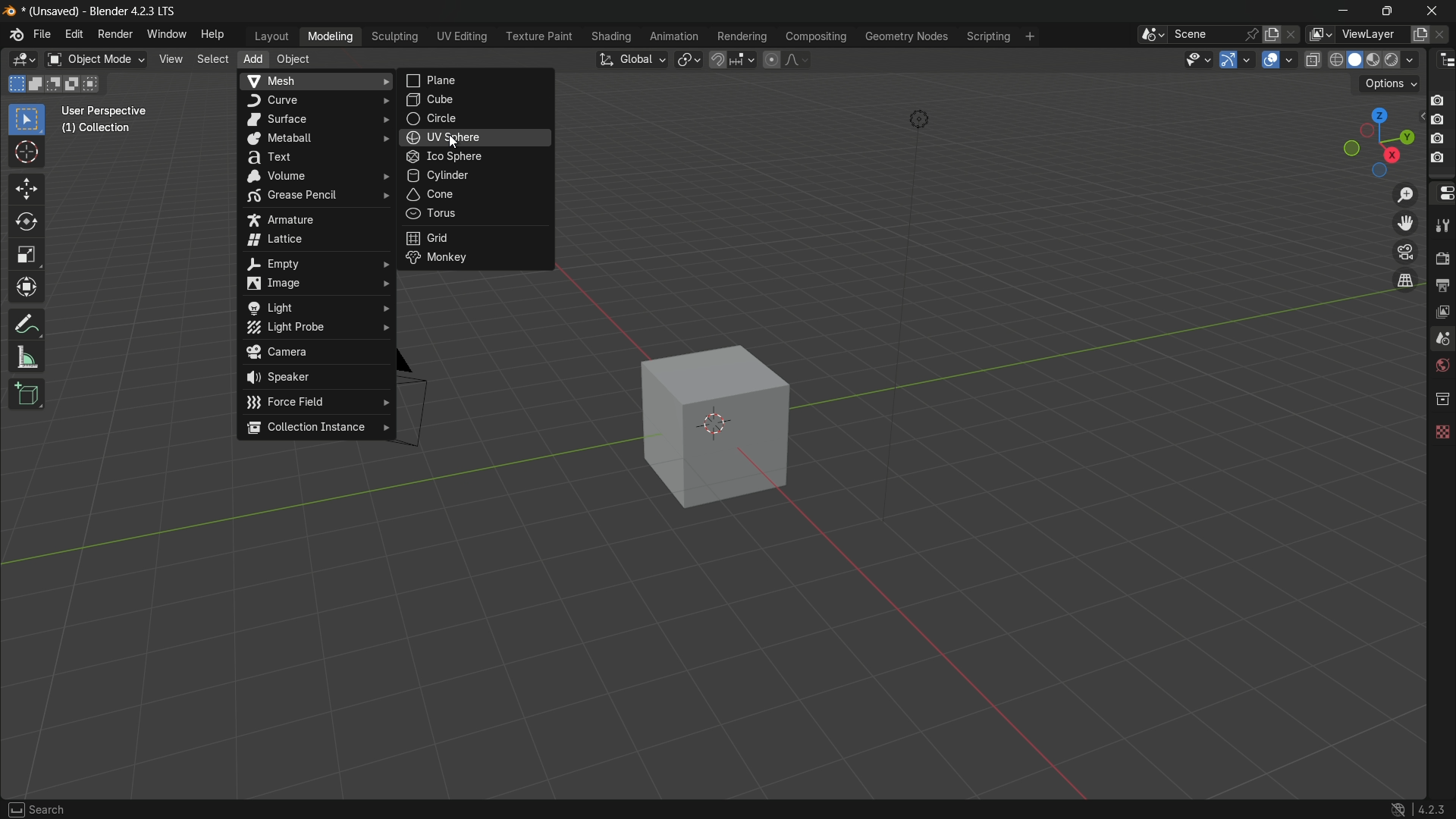 This screenshot has height=819, width=1456. What do you see at coordinates (814, 36) in the screenshot?
I see `compositing menu` at bounding box center [814, 36].